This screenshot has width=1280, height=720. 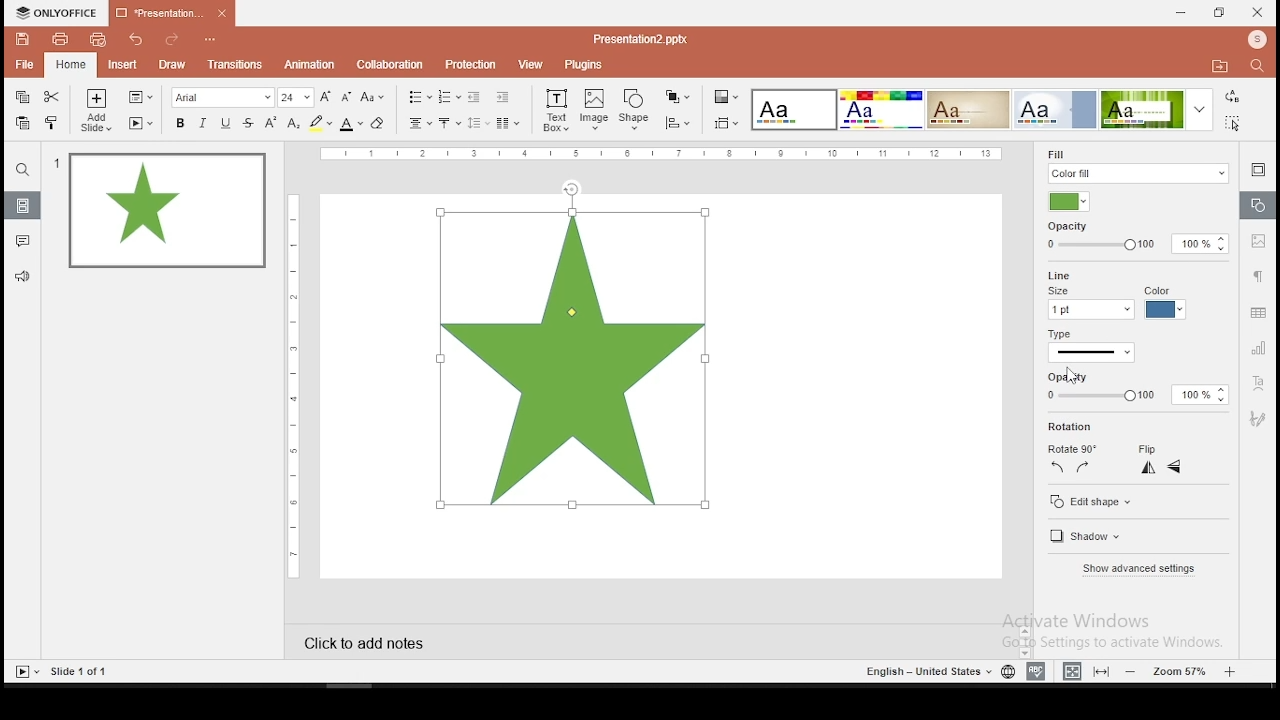 What do you see at coordinates (1055, 275) in the screenshot?
I see `line` at bounding box center [1055, 275].